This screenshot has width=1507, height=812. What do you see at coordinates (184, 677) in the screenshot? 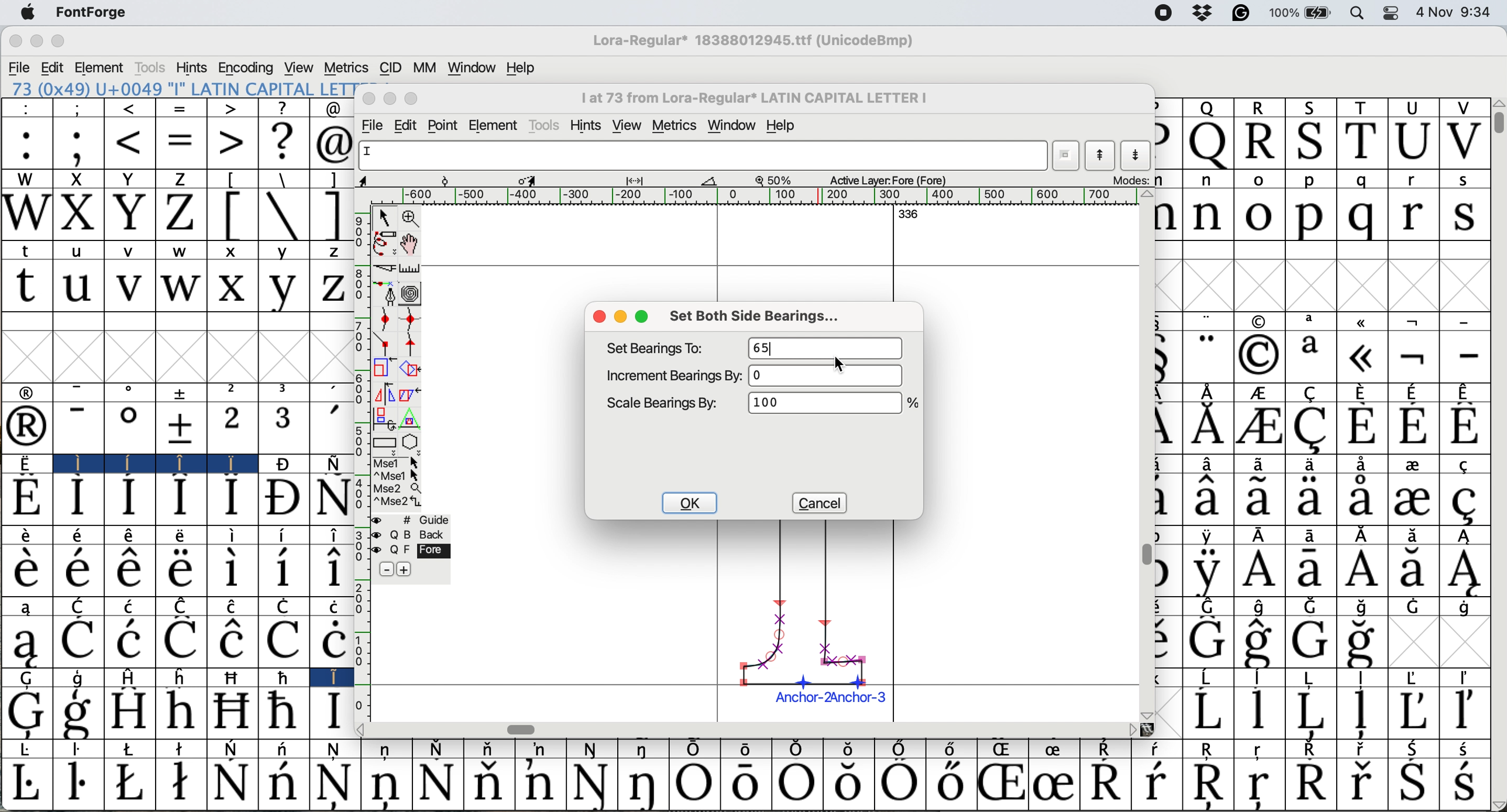
I see `h` at bounding box center [184, 677].